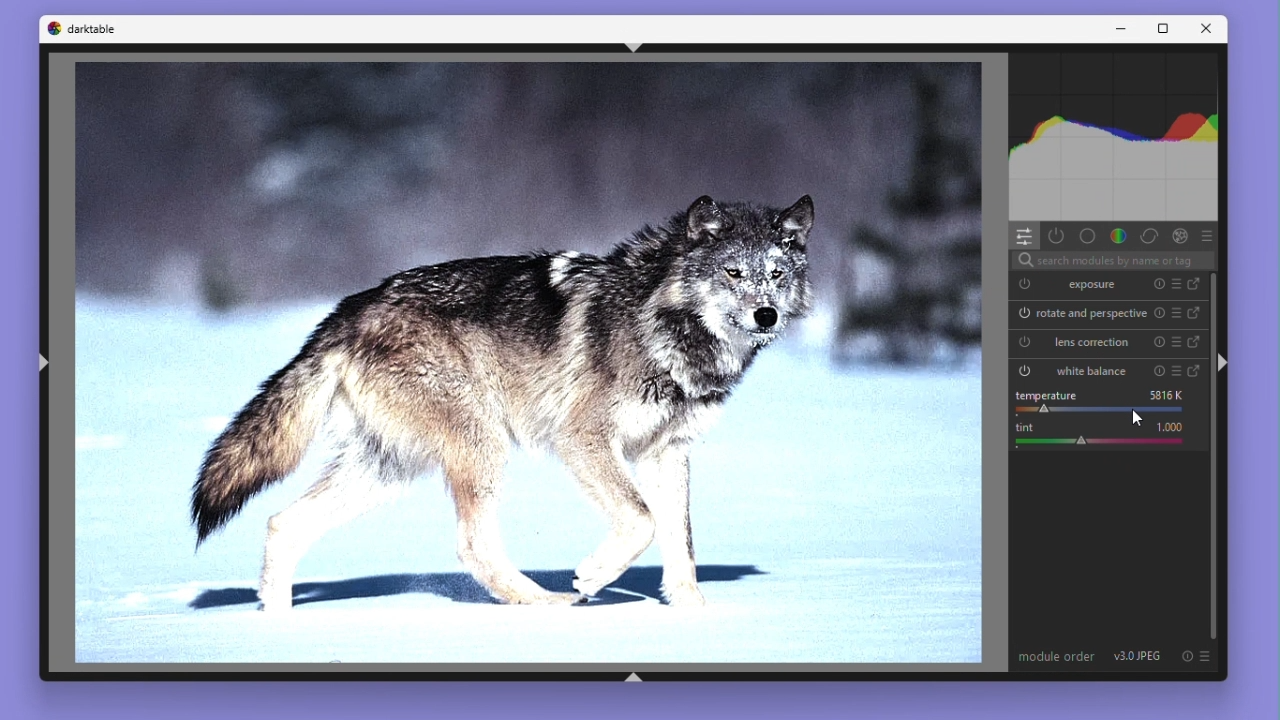 This screenshot has height=720, width=1280. I want to click on Show active modules only, so click(1058, 235).